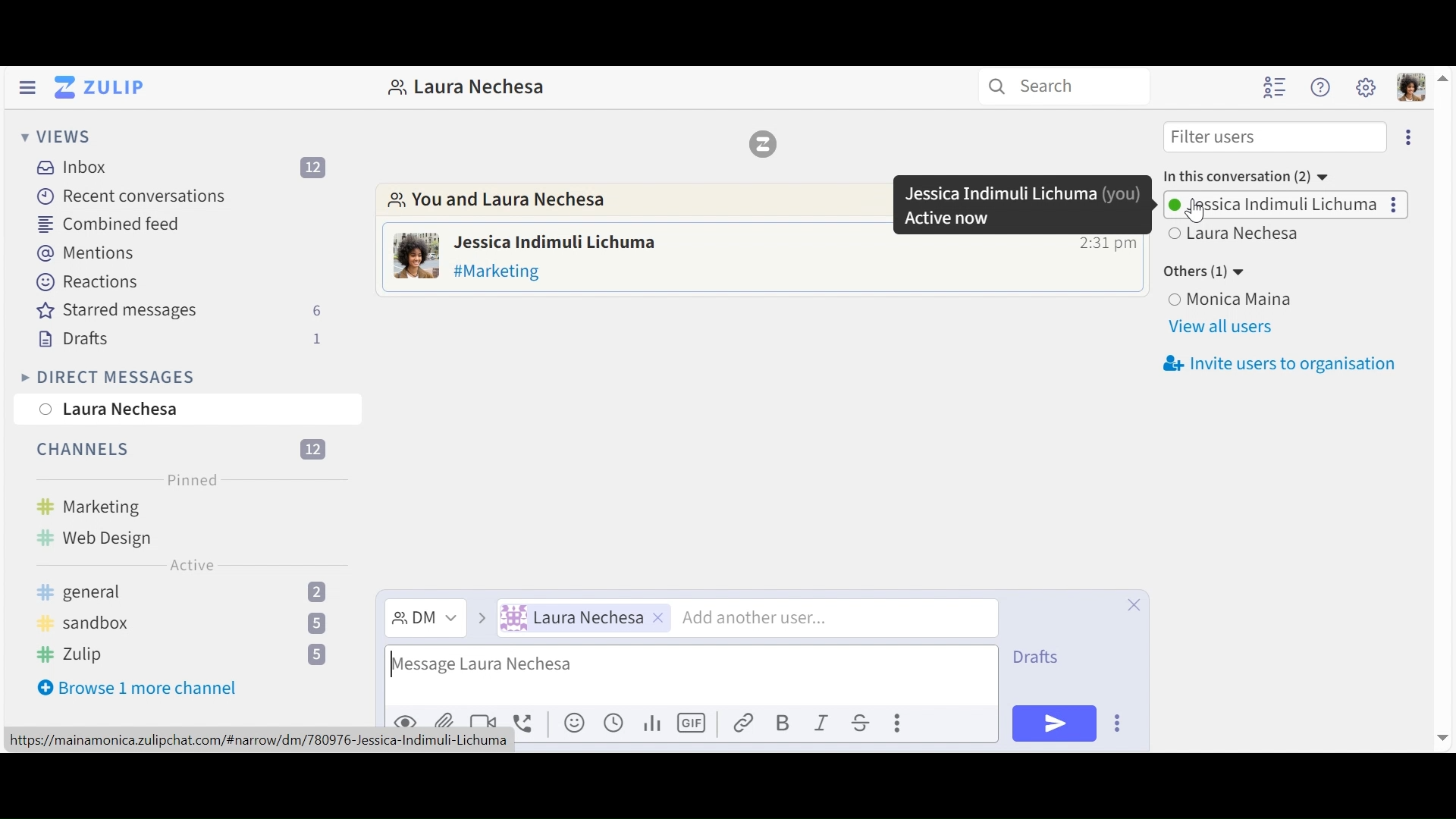 The width and height of the screenshot is (1456, 819). Describe the element at coordinates (1367, 86) in the screenshot. I see `Main menu` at that location.